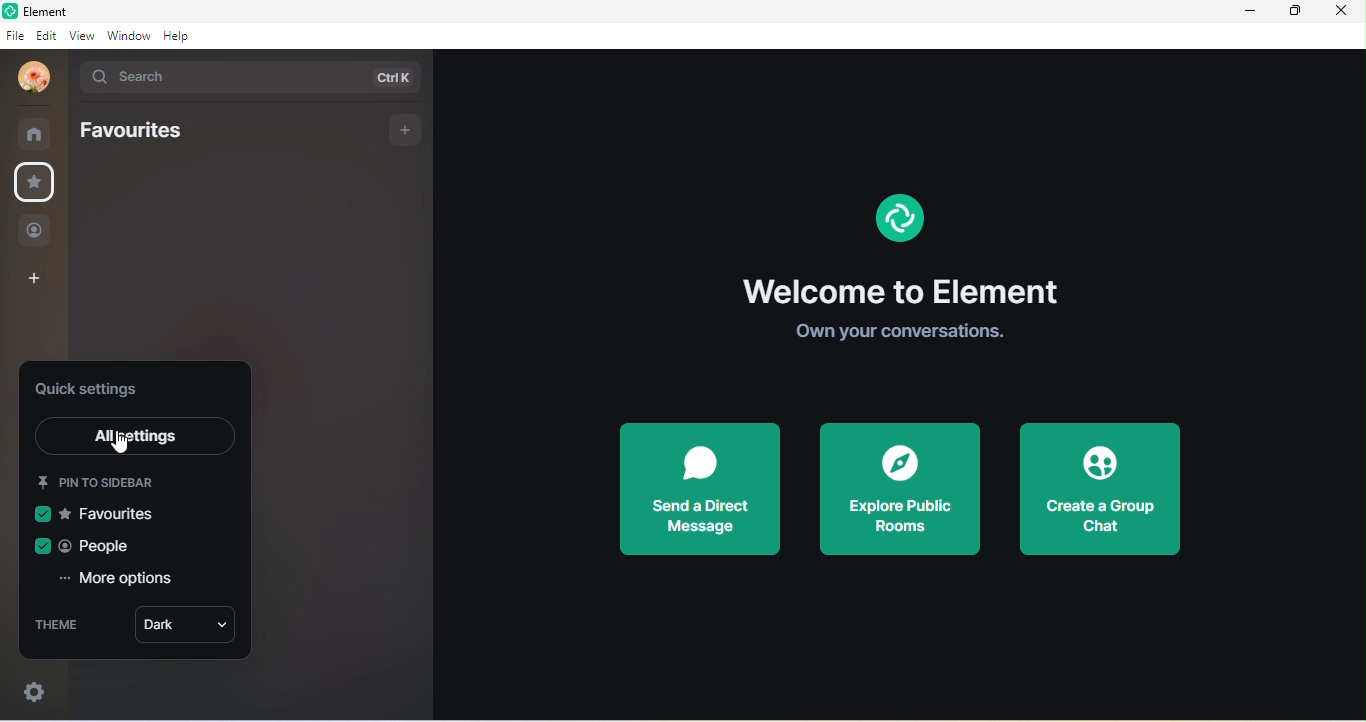 This screenshot has height=722, width=1366. What do you see at coordinates (903, 332) in the screenshot?
I see `own your conversations` at bounding box center [903, 332].